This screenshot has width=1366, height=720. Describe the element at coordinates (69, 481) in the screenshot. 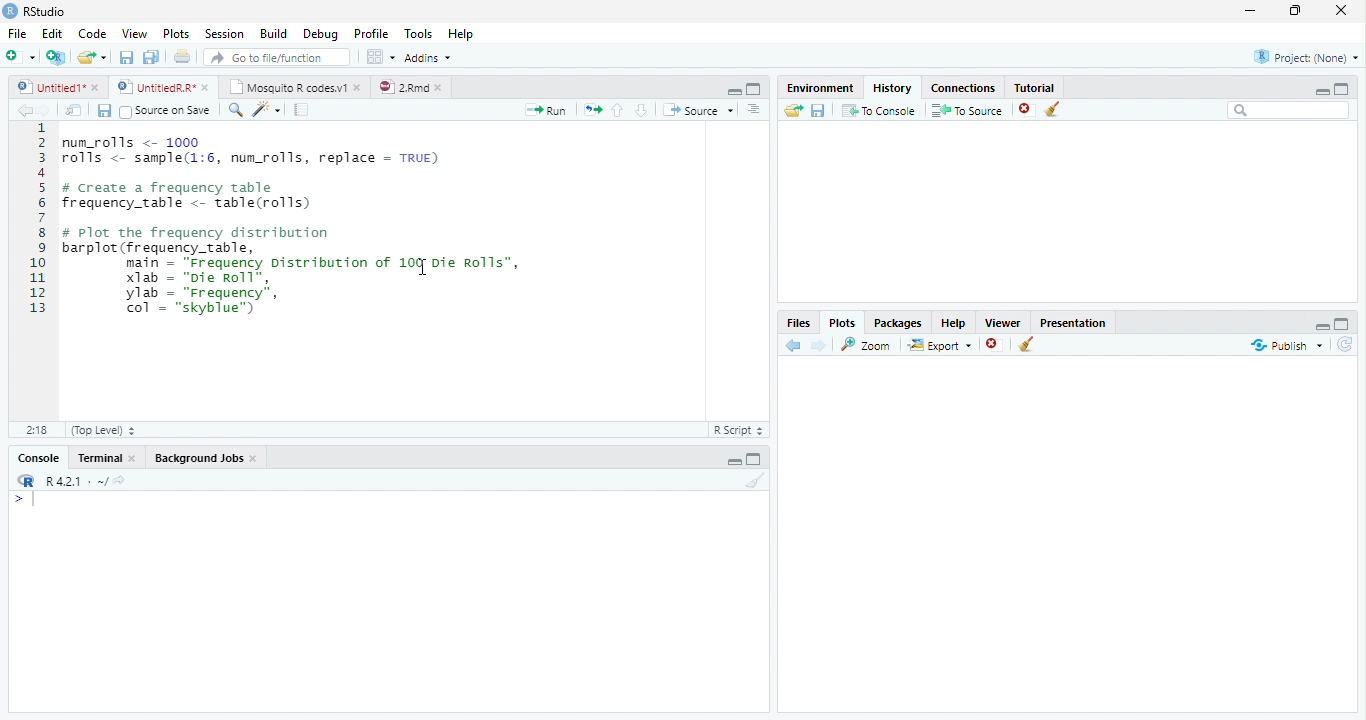

I see `R R421 - ~/` at that location.